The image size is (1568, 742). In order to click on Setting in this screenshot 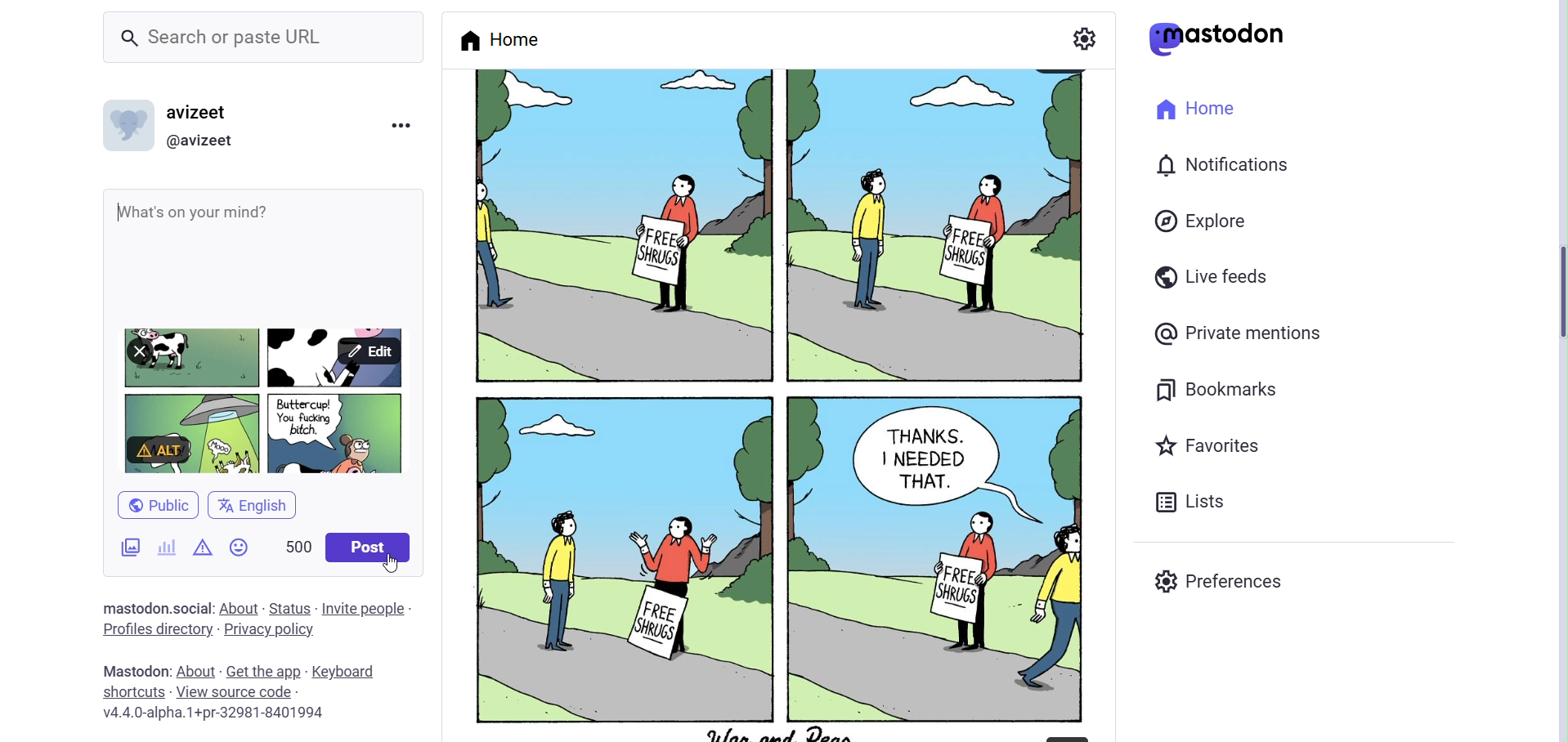, I will do `click(1084, 37)`.